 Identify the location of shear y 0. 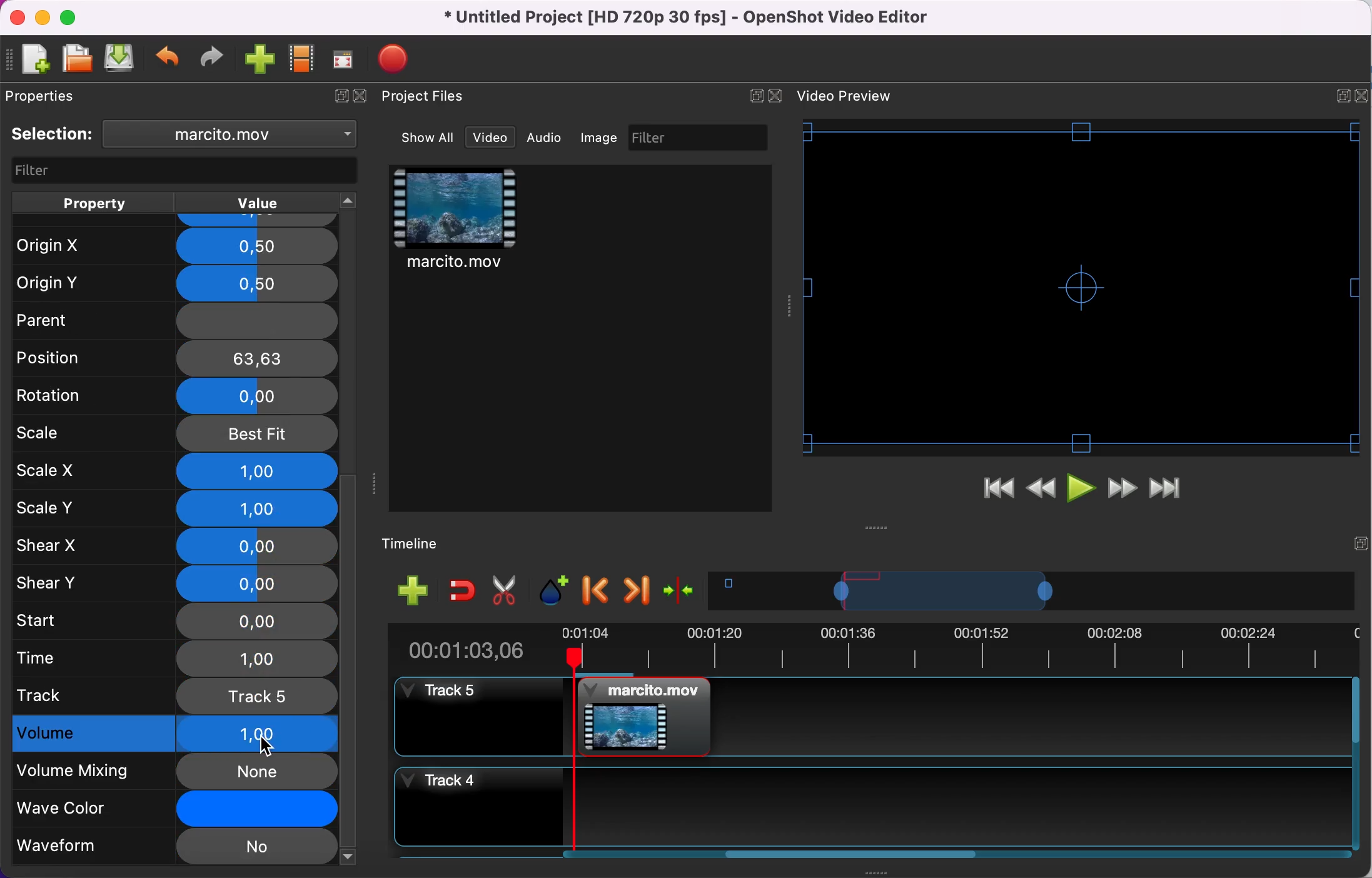
(176, 583).